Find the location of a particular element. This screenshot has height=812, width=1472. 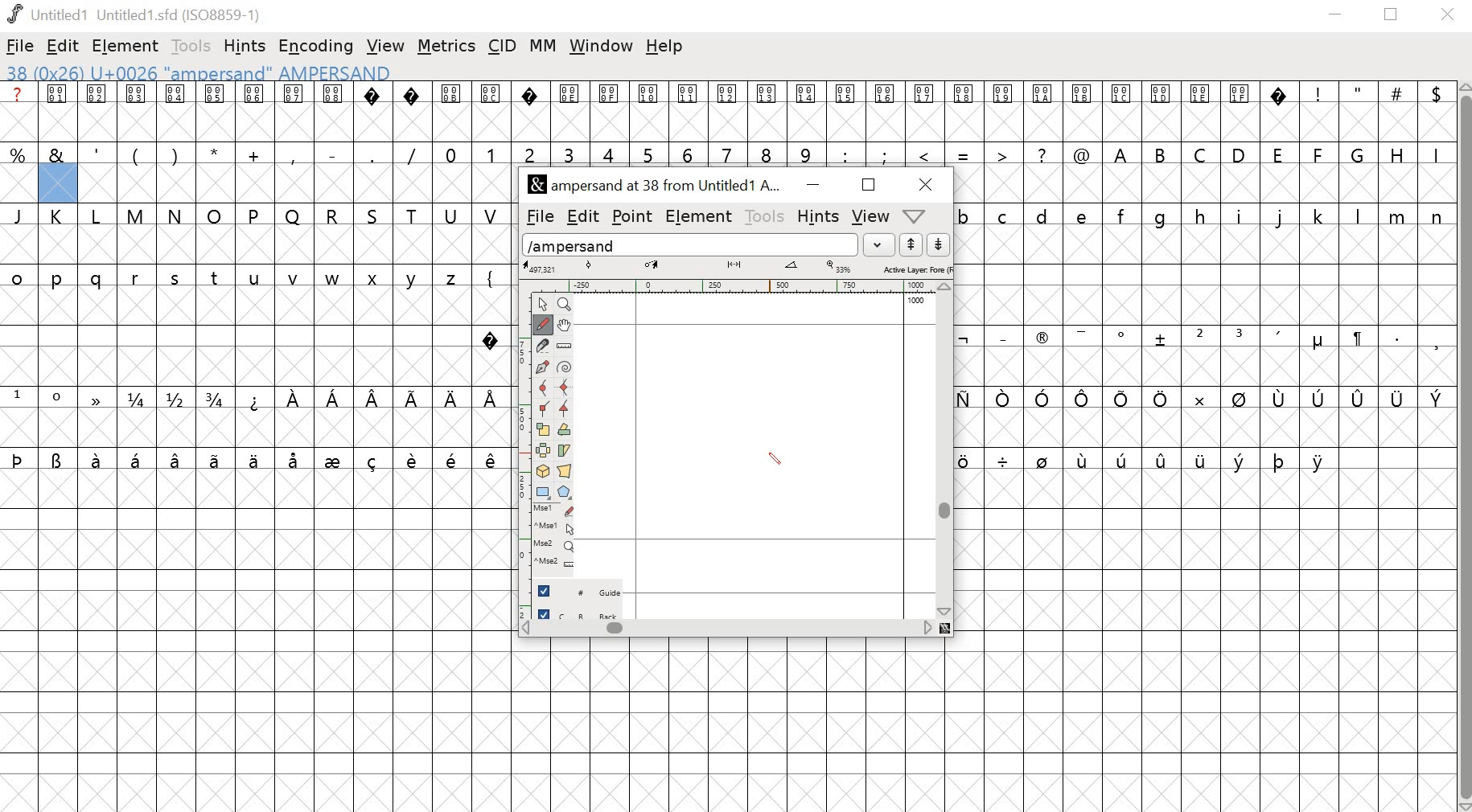

minimize is located at coordinates (811, 186).